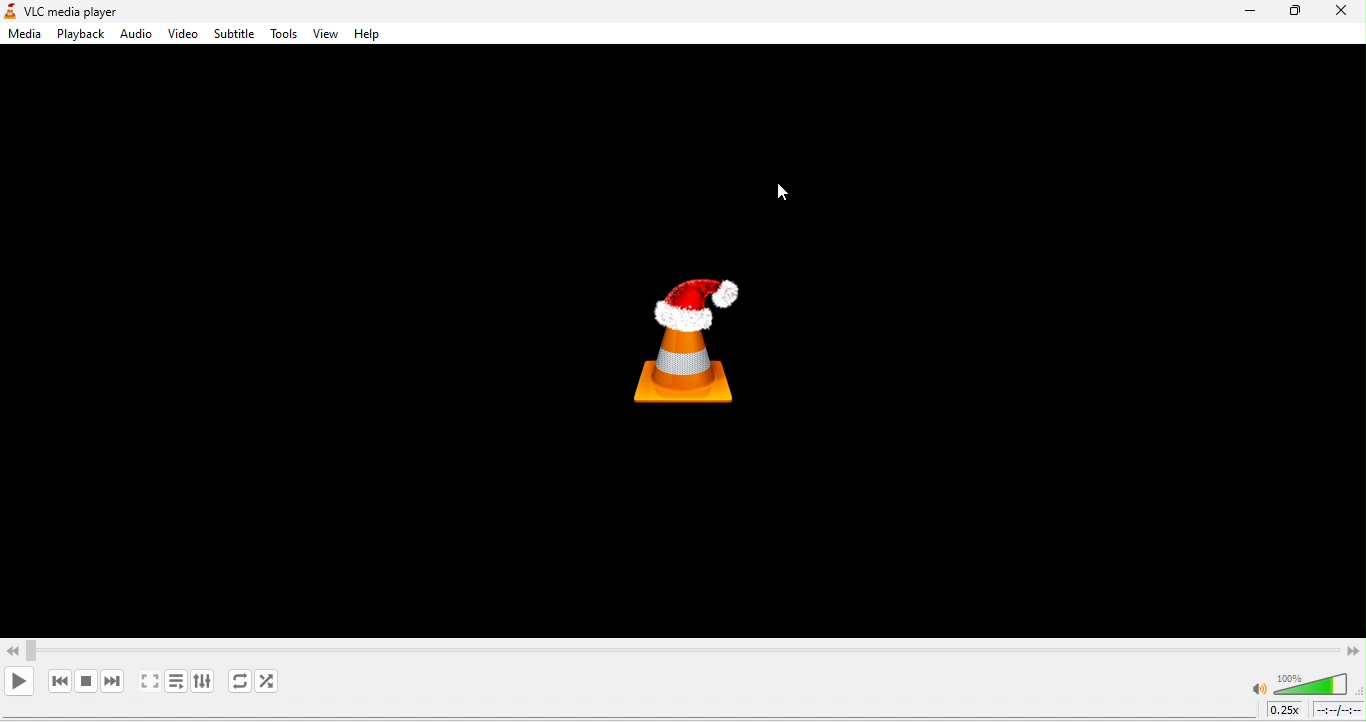 The width and height of the screenshot is (1366, 722). I want to click on Shuffle, so click(274, 681).